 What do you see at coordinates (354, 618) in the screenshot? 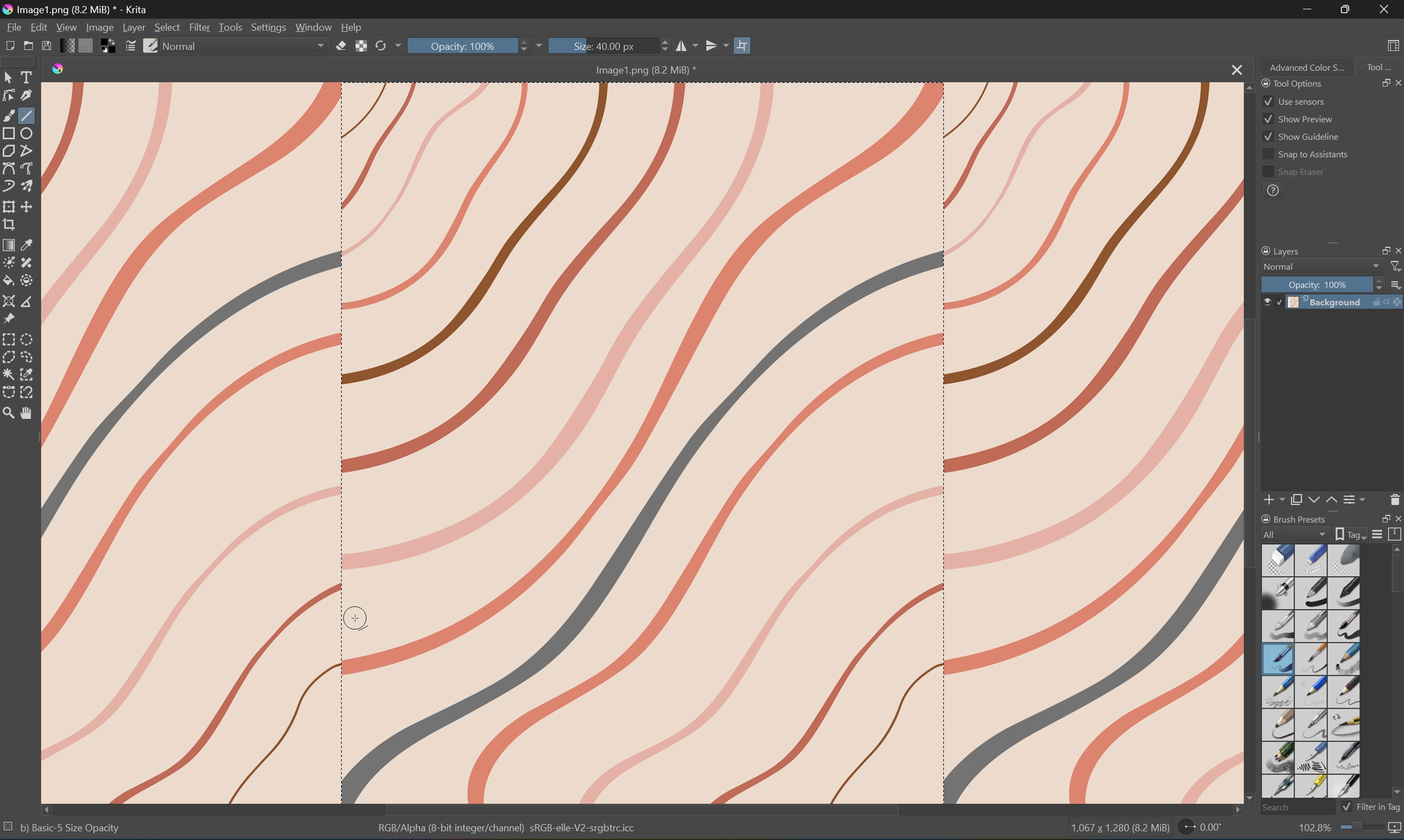
I see `Cursor` at bounding box center [354, 618].